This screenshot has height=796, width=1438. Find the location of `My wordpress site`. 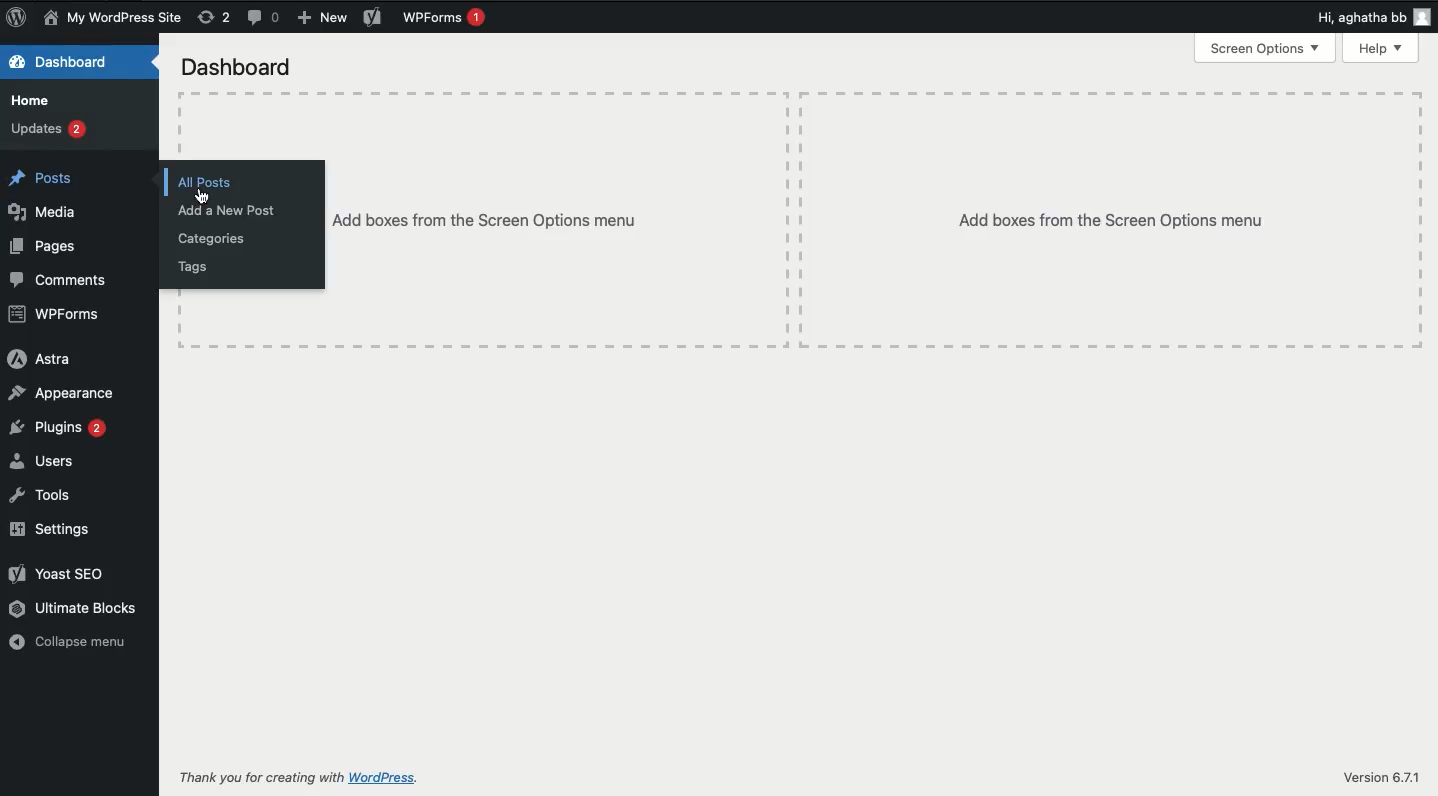

My wordpress site is located at coordinates (115, 19).